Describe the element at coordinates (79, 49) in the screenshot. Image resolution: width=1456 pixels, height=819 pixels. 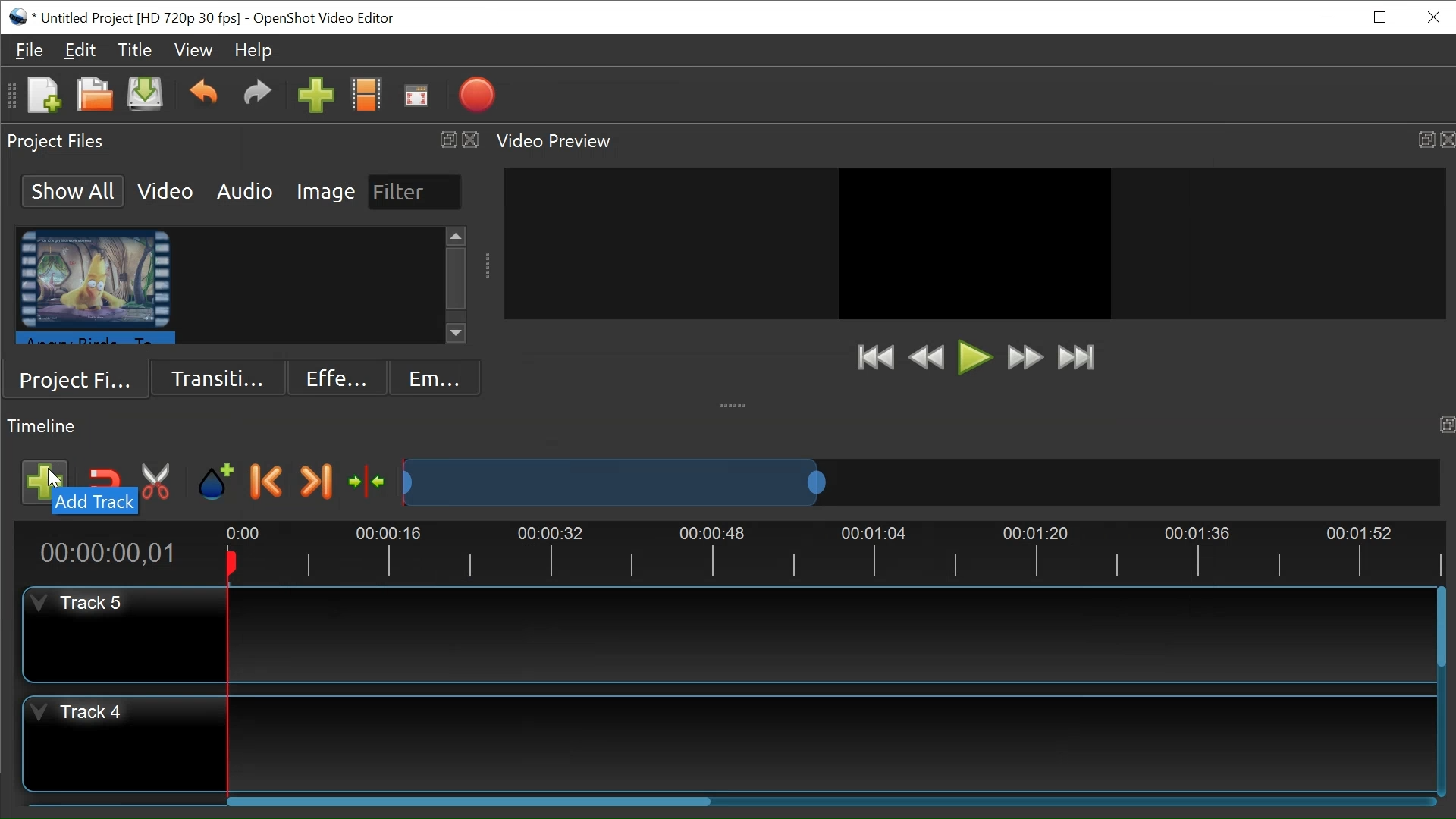
I see `Edit` at that location.